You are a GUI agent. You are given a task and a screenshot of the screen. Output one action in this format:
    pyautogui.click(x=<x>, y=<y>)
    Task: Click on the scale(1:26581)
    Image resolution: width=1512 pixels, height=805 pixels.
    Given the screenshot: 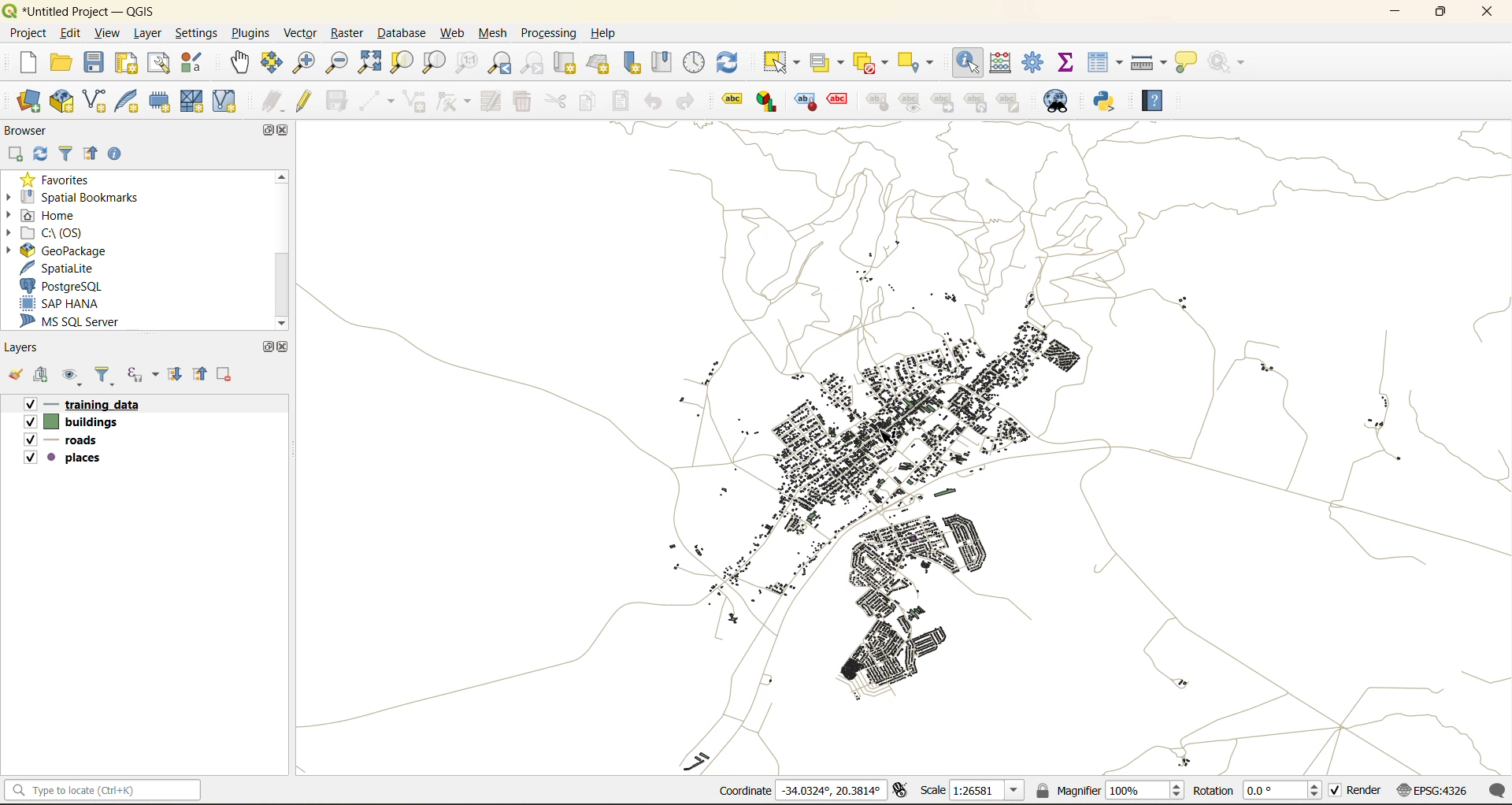 What is the action you would take?
    pyautogui.click(x=973, y=790)
    